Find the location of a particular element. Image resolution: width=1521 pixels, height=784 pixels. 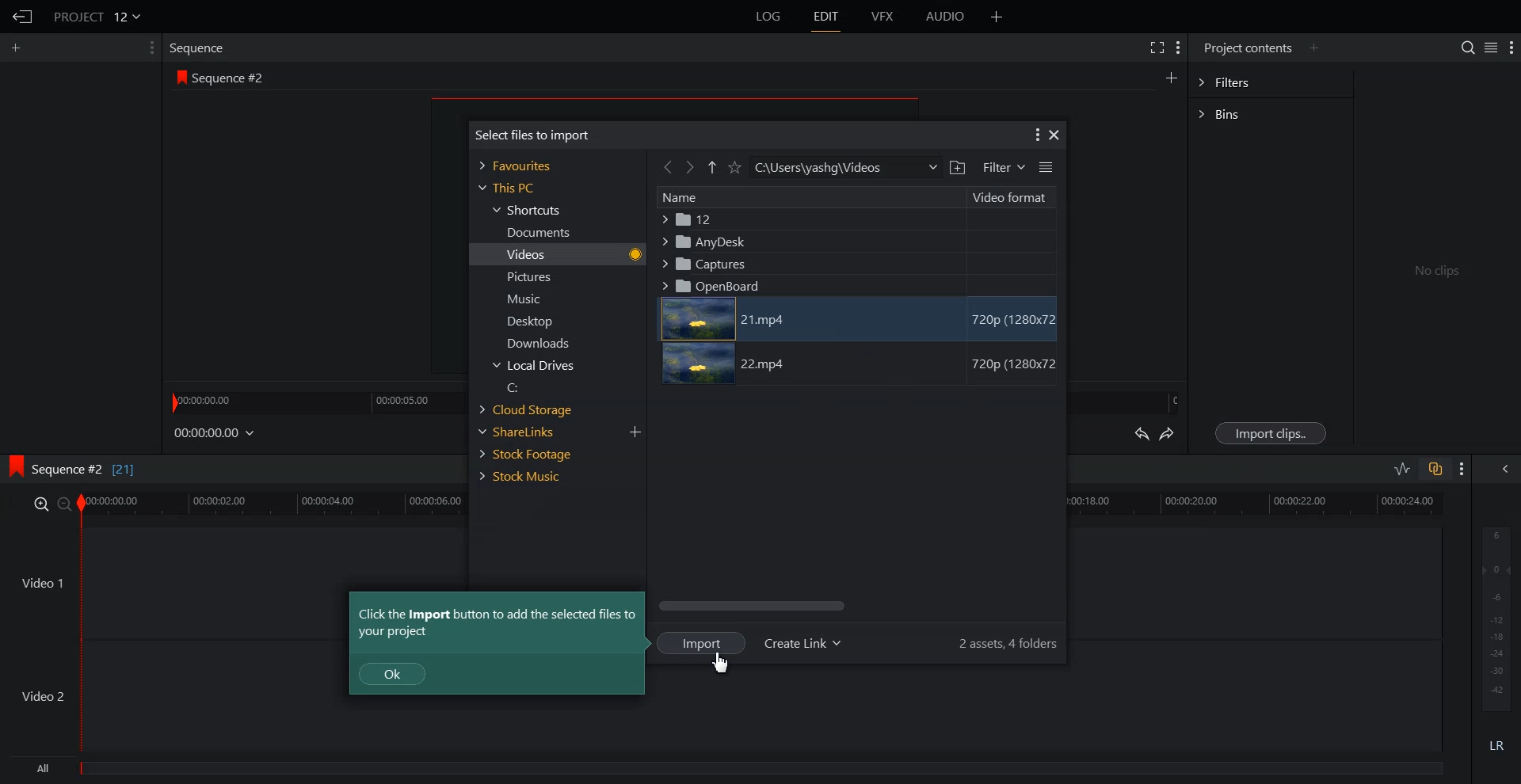

Filters is located at coordinates (1271, 83).